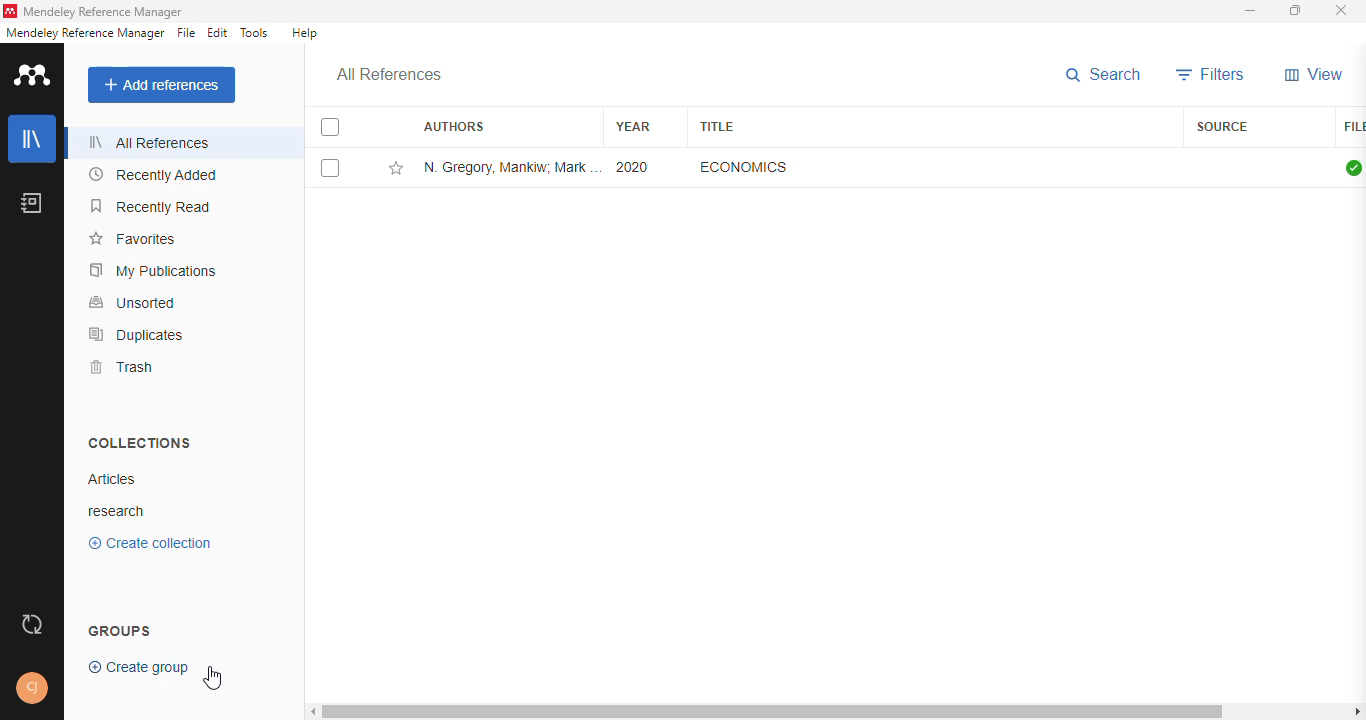  What do you see at coordinates (131, 302) in the screenshot?
I see `unsorted` at bounding box center [131, 302].